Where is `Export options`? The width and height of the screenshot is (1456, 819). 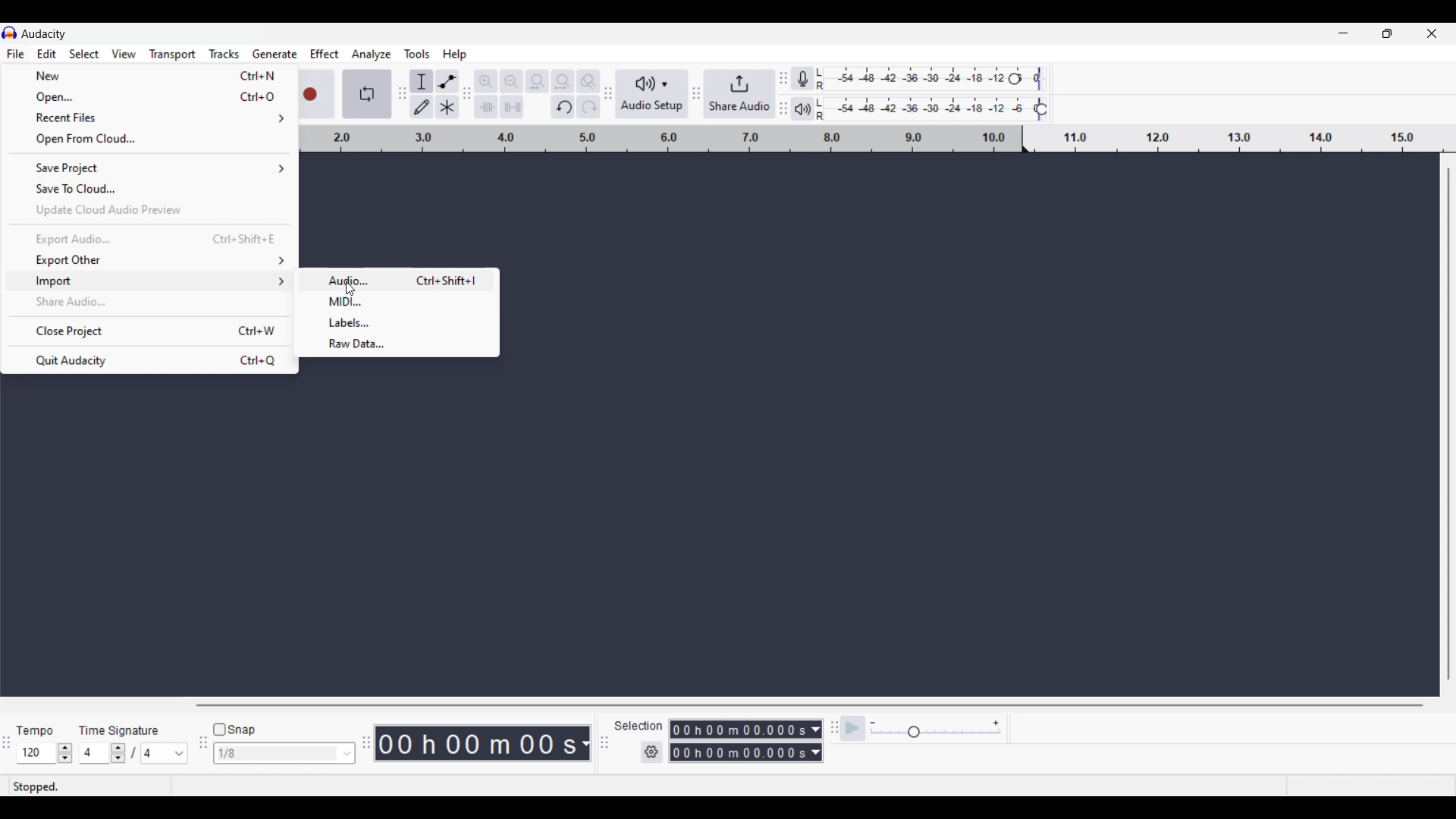 Export options is located at coordinates (149, 260).